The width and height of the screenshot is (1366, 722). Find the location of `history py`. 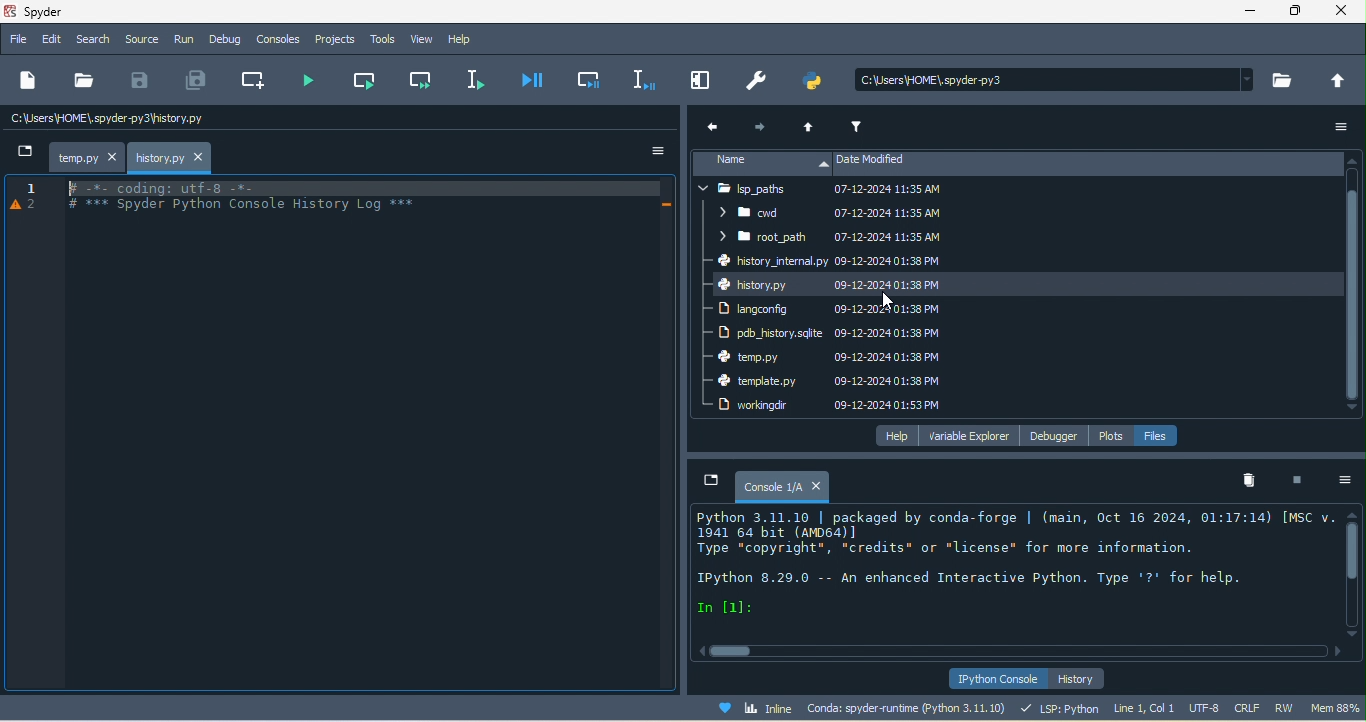

history py is located at coordinates (766, 284).